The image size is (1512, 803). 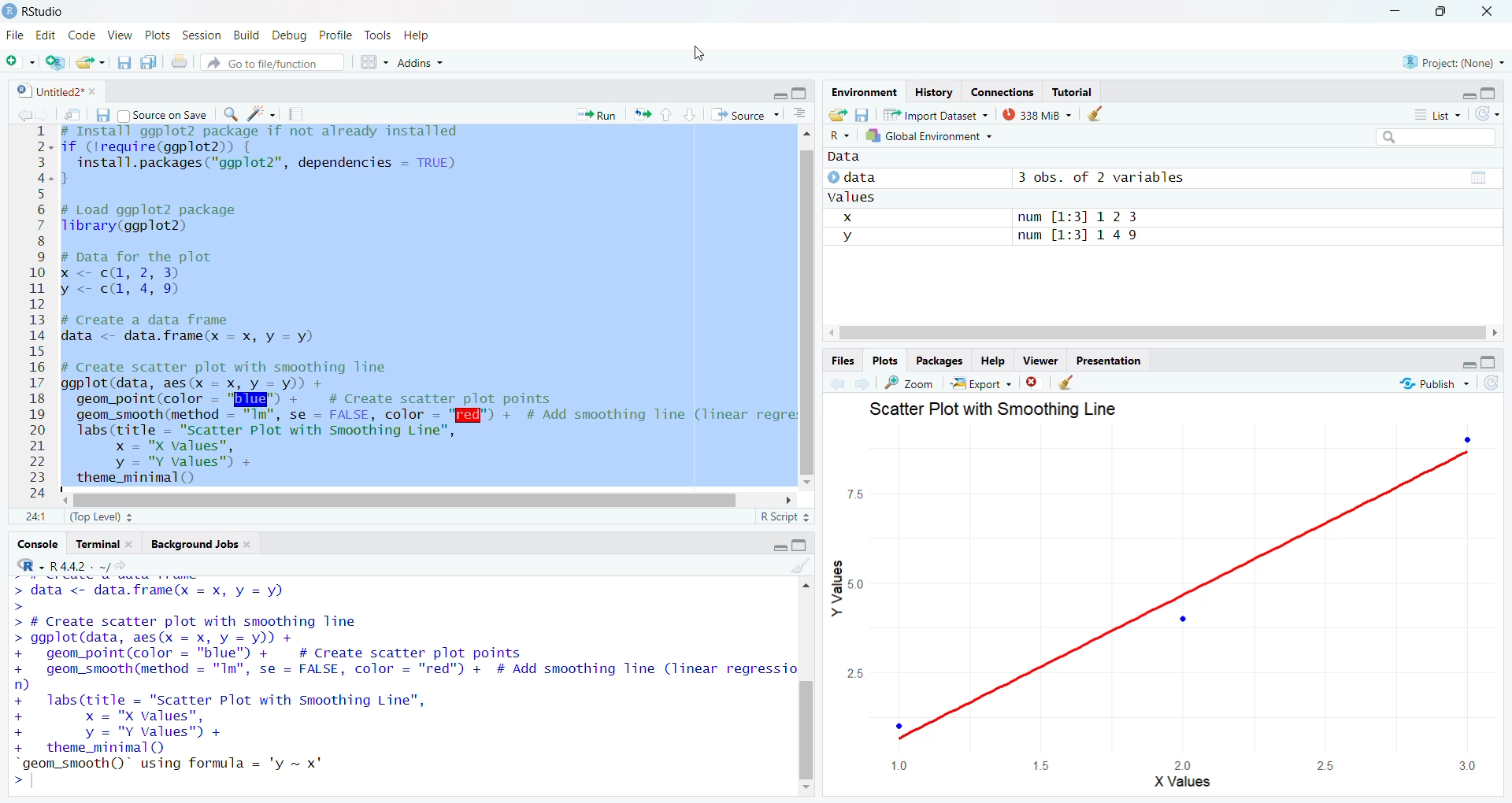 I want to click on Debug, so click(x=289, y=35).